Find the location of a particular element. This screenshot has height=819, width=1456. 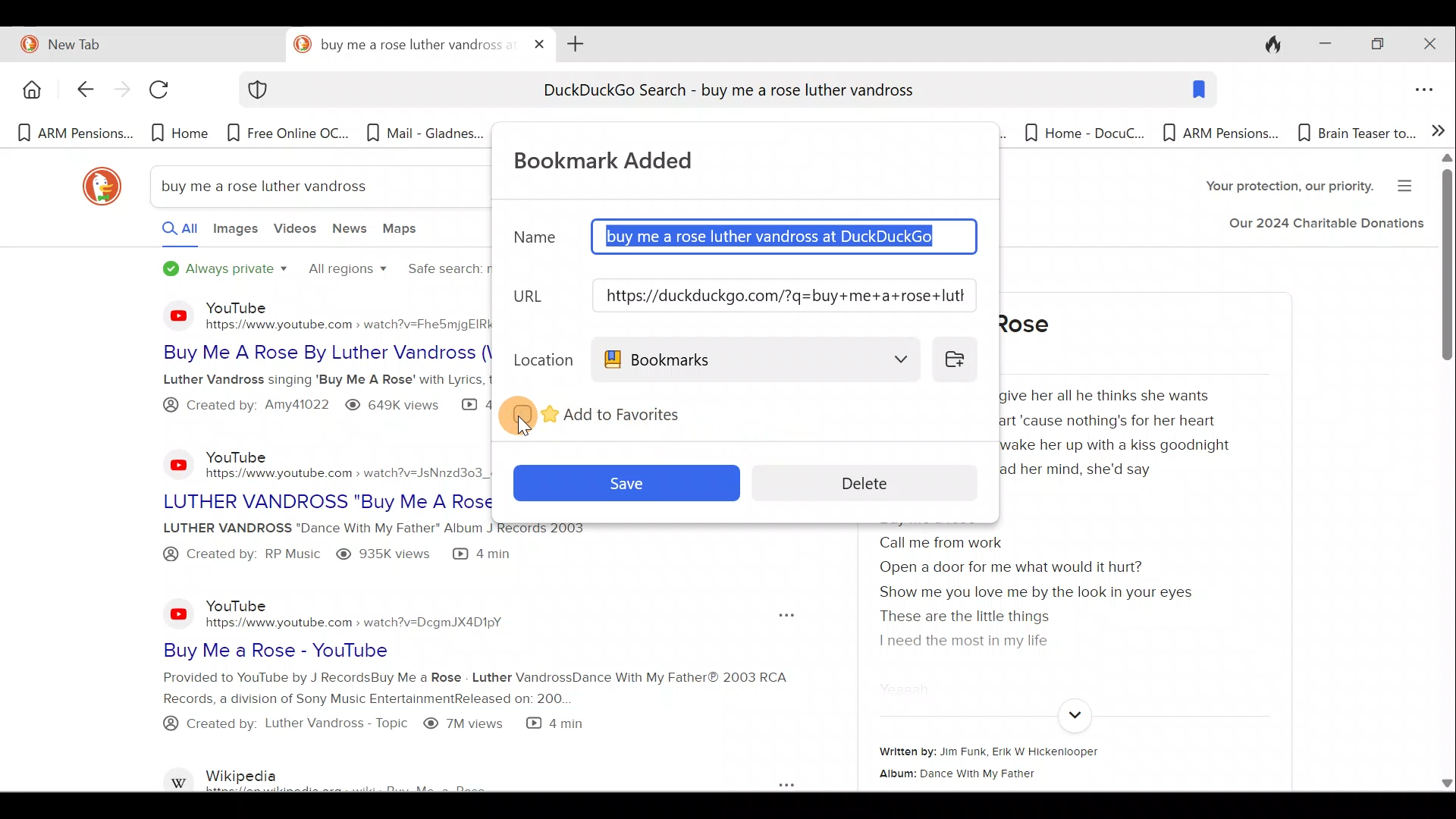

Reload is located at coordinates (166, 95).